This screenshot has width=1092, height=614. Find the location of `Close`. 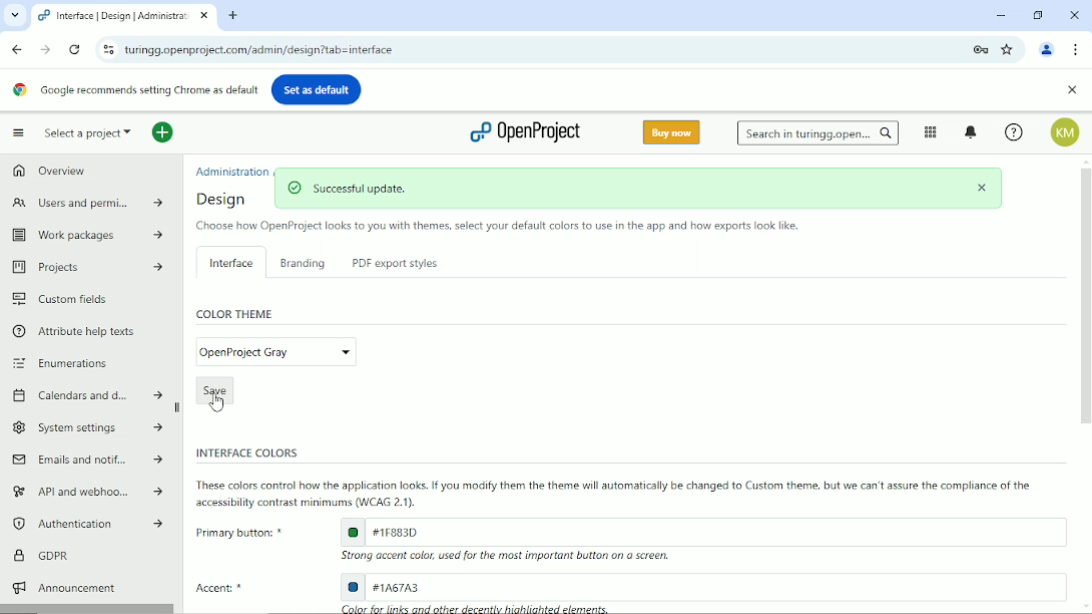

Close is located at coordinates (1071, 90).